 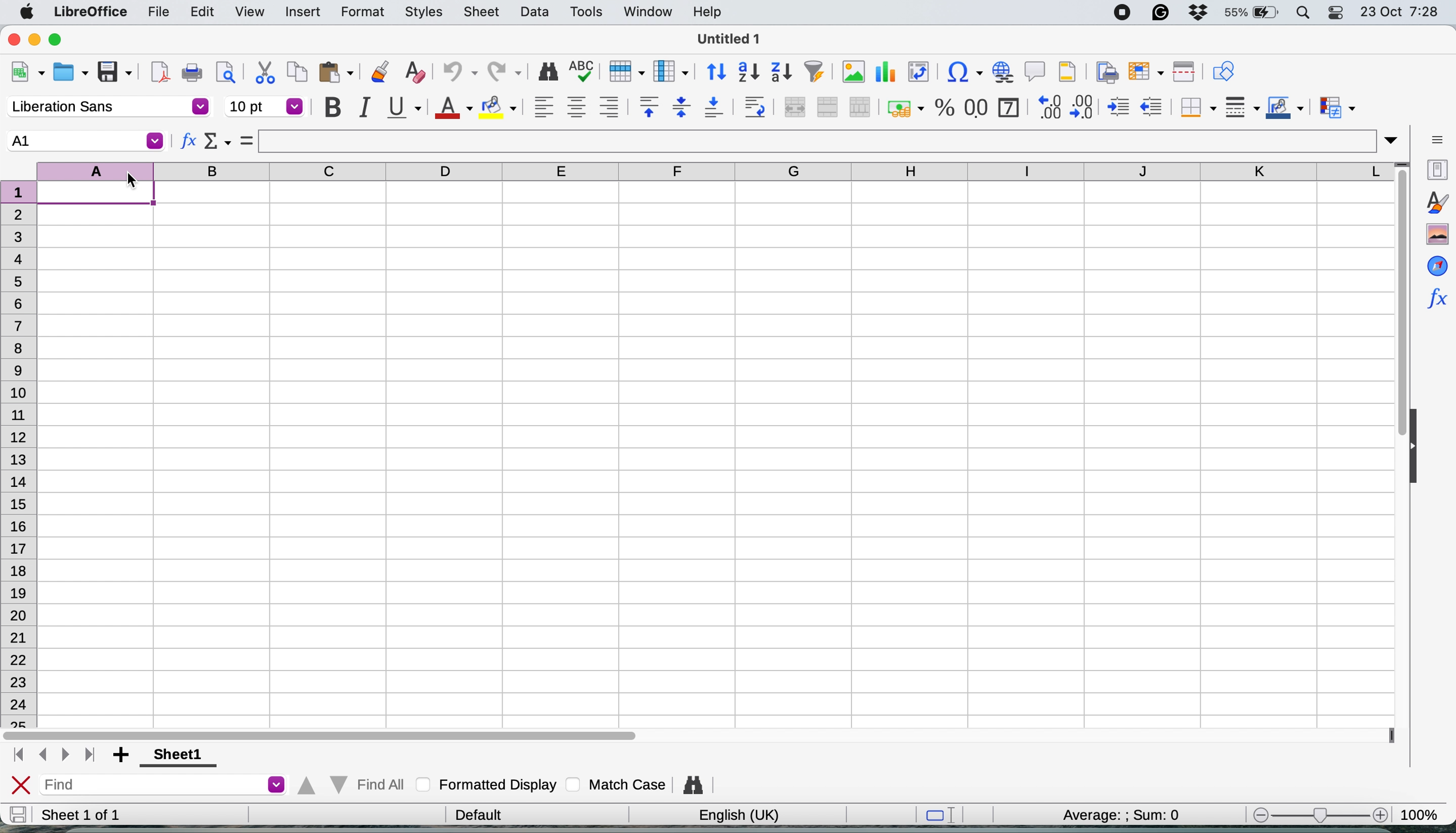 What do you see at coordinates (1437, 138) in the screenshot?
I see `sidebar settings` at bounding box center [1437, 138].